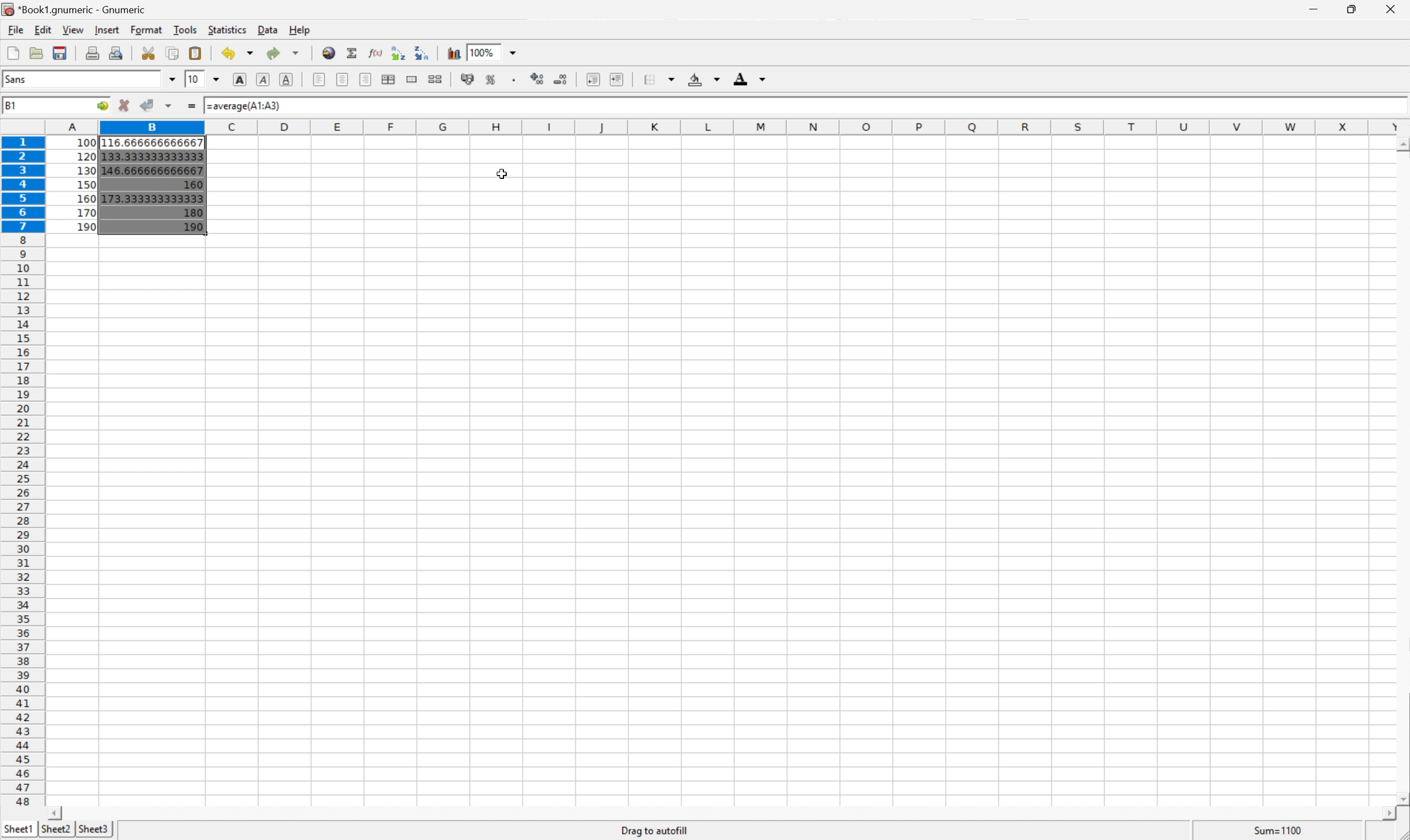 This screenshot has height=840, width=1410. What do you see at coordinates (63, 53) in the screenshot?
I see `Save current workbook` at bounding box center [63, 53].